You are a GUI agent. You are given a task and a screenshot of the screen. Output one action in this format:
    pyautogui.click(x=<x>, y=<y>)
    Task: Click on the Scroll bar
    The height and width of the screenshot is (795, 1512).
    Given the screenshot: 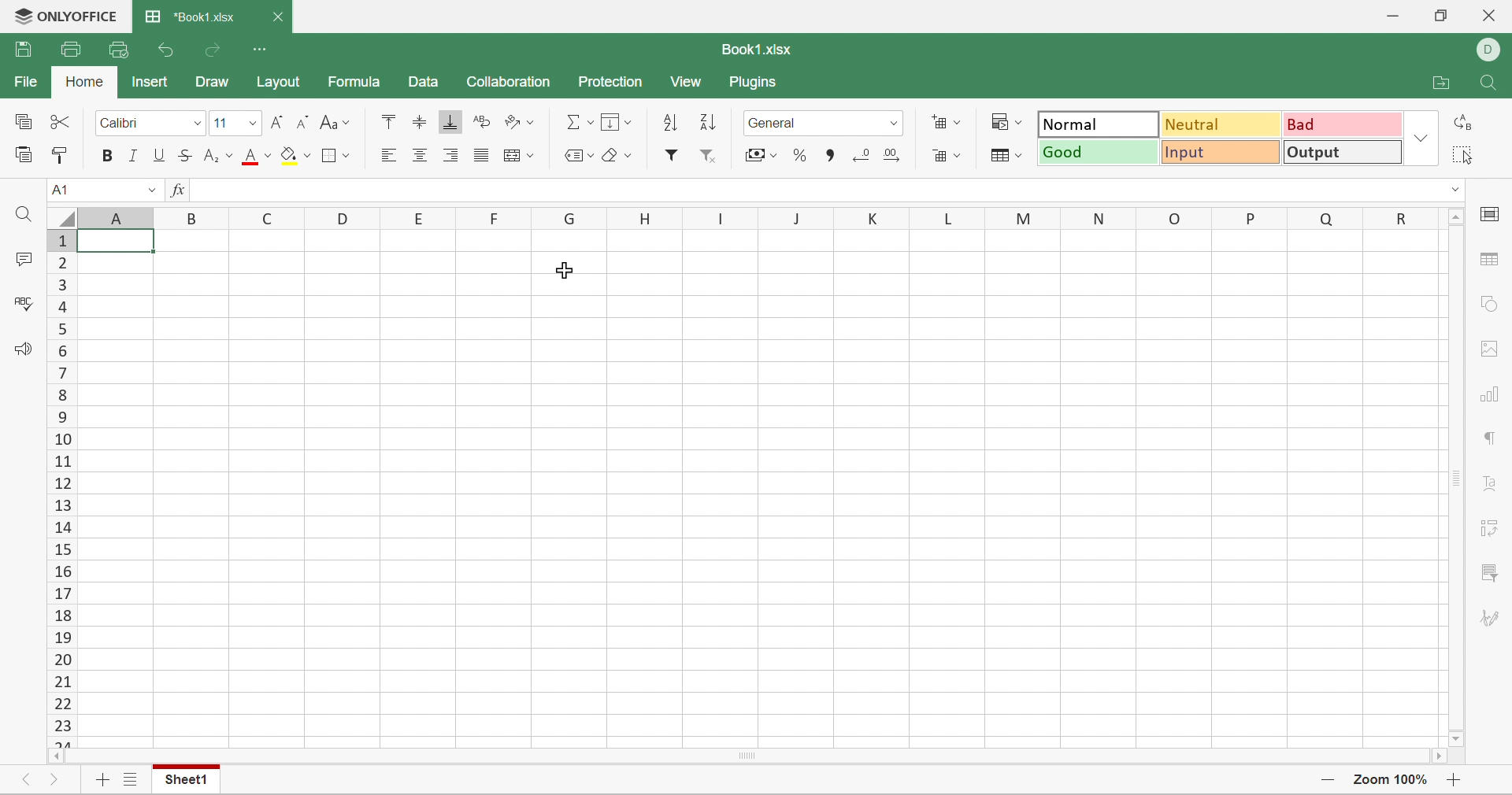 What is the action you would take?
    pyautogui.click(x=1456, y=478)
    